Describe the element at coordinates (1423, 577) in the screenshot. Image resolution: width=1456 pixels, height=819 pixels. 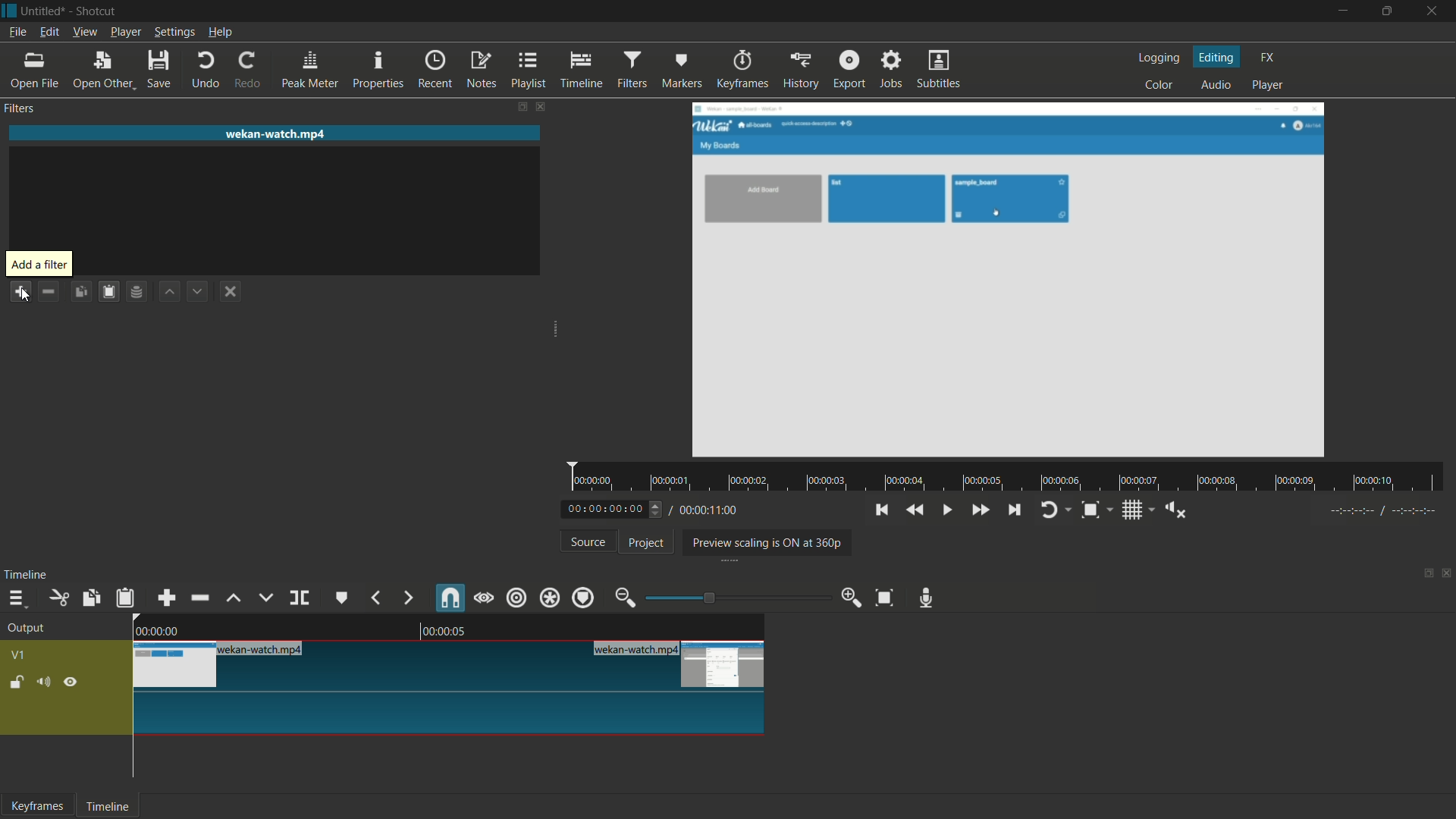
I see `change layout` at that location.